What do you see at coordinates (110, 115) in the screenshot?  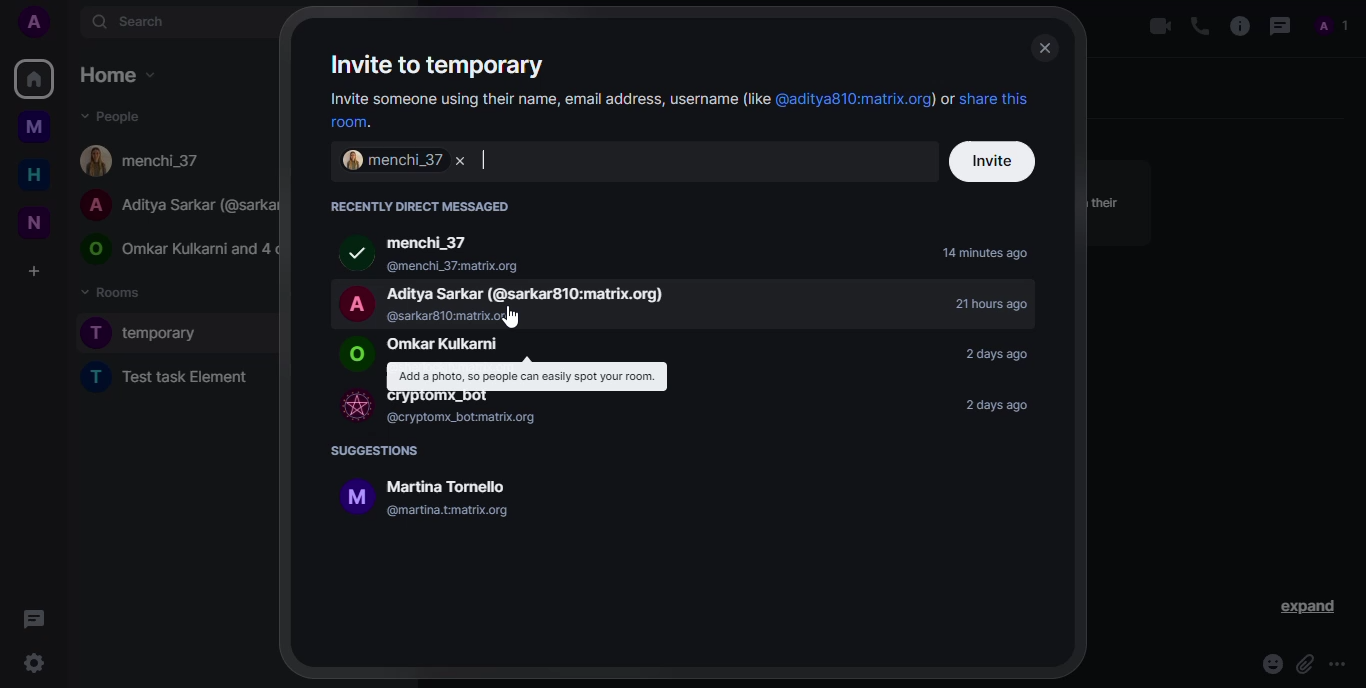 I see `people` at bounding box center [110, 115].